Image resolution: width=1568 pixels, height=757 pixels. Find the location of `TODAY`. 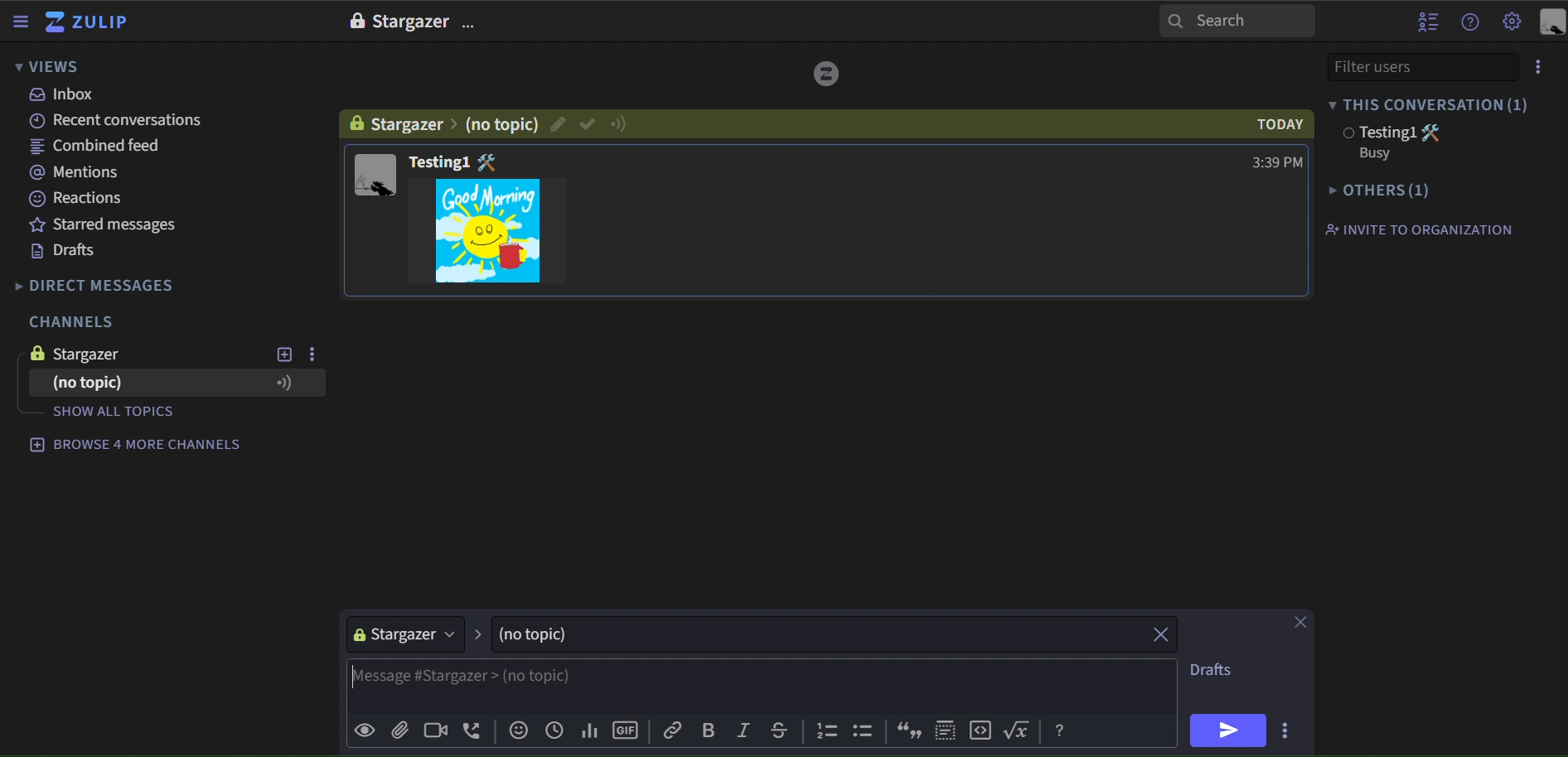

TODAY is located at coordinates (1270, 124).